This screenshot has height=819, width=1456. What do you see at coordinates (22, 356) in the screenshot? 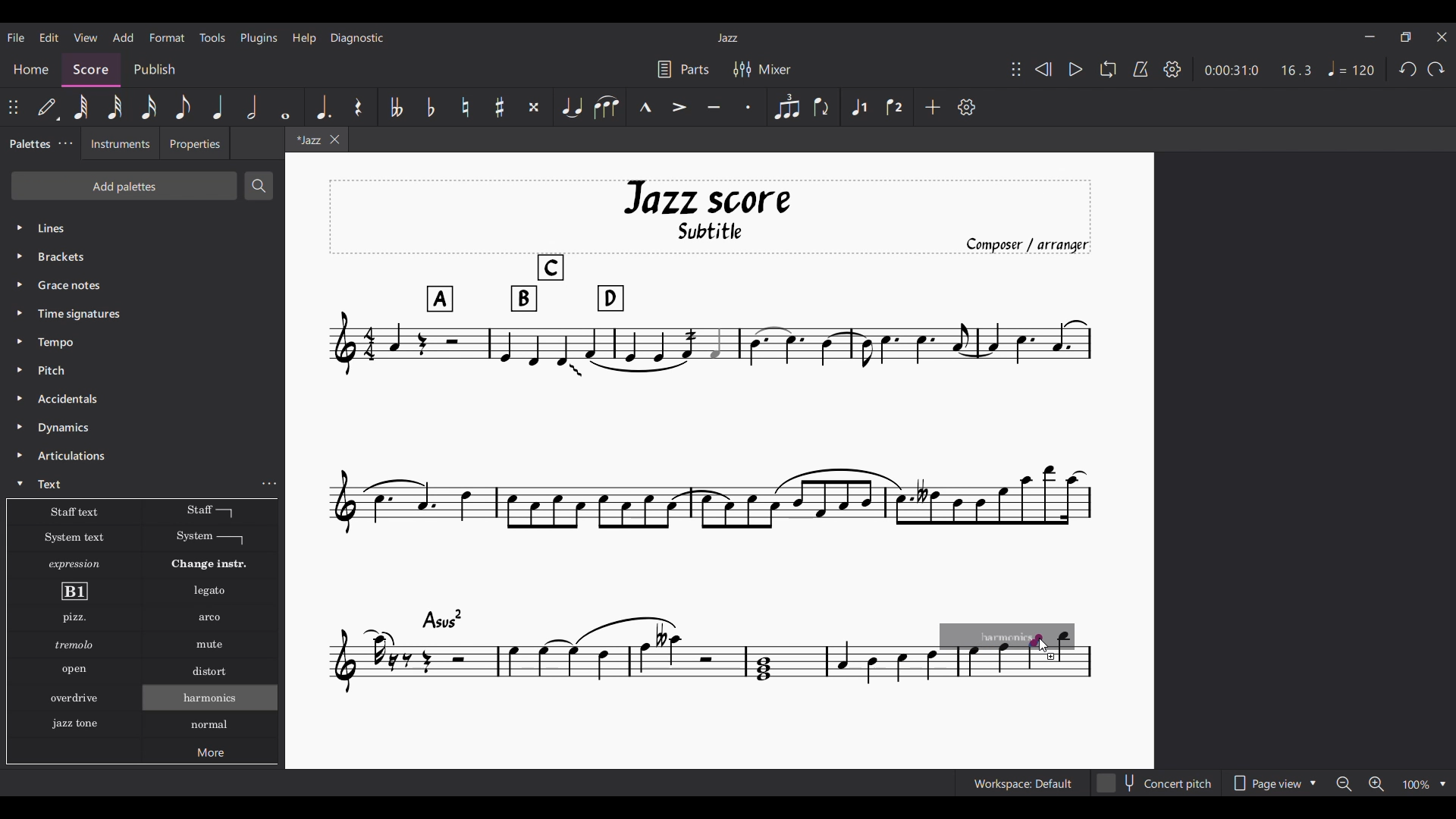
I see `Expand` at bounding box center [22, 356].